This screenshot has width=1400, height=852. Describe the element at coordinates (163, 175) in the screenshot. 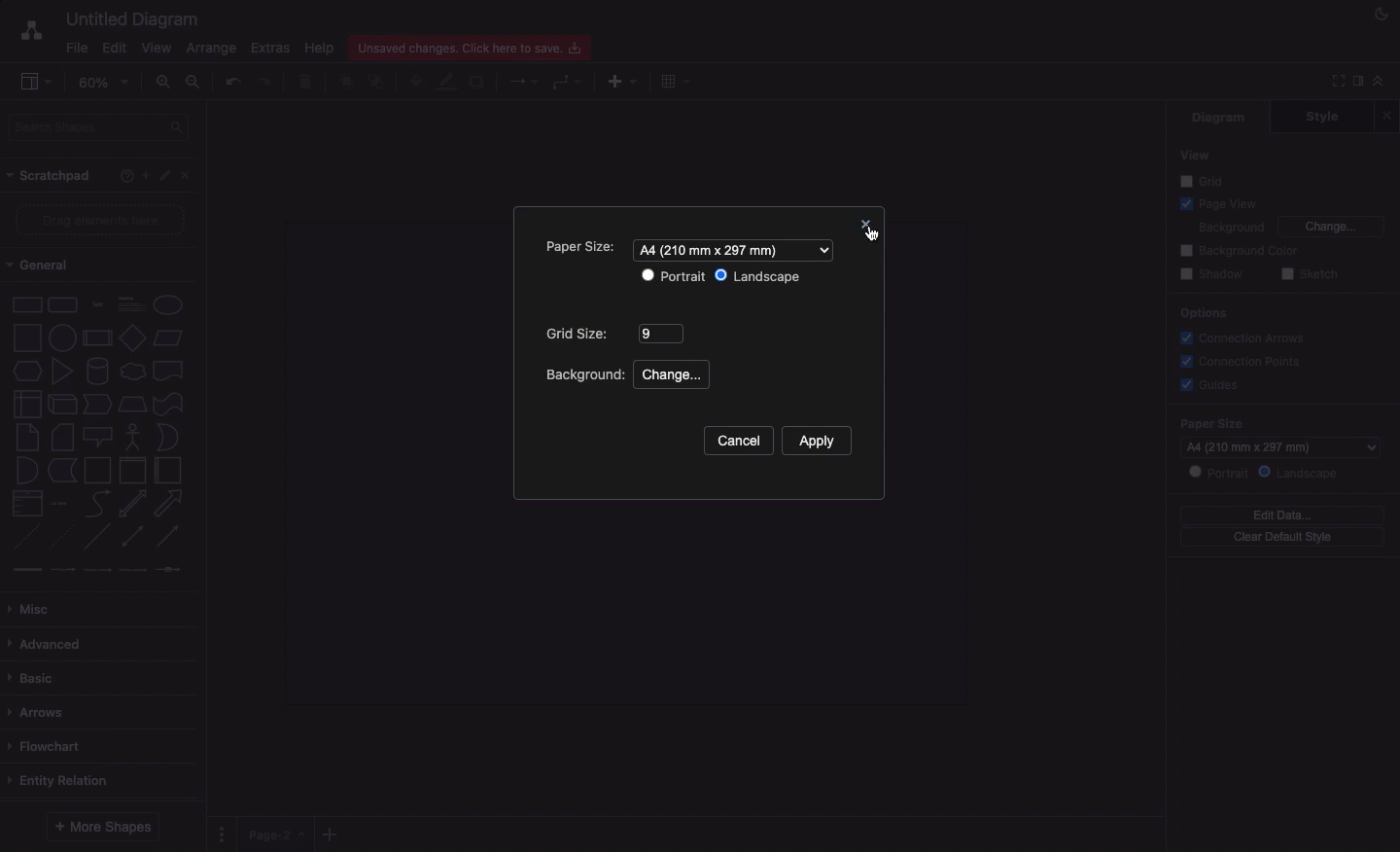

I see `Edit` at that location.